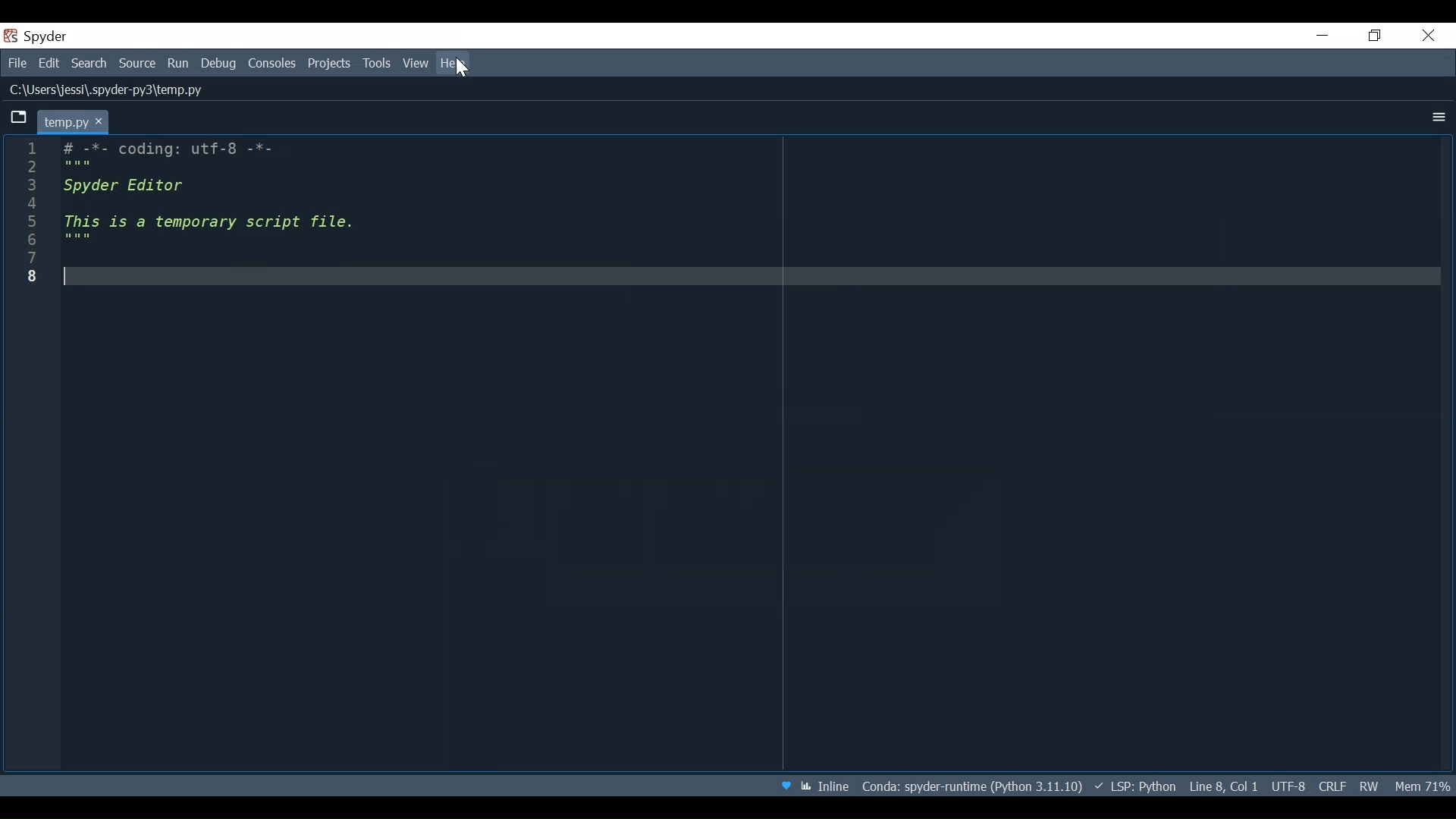  What do you see at coordinates (1422, 788) in the screenshot?
I see `Memory Usage` at bounding box center [1422, 788].